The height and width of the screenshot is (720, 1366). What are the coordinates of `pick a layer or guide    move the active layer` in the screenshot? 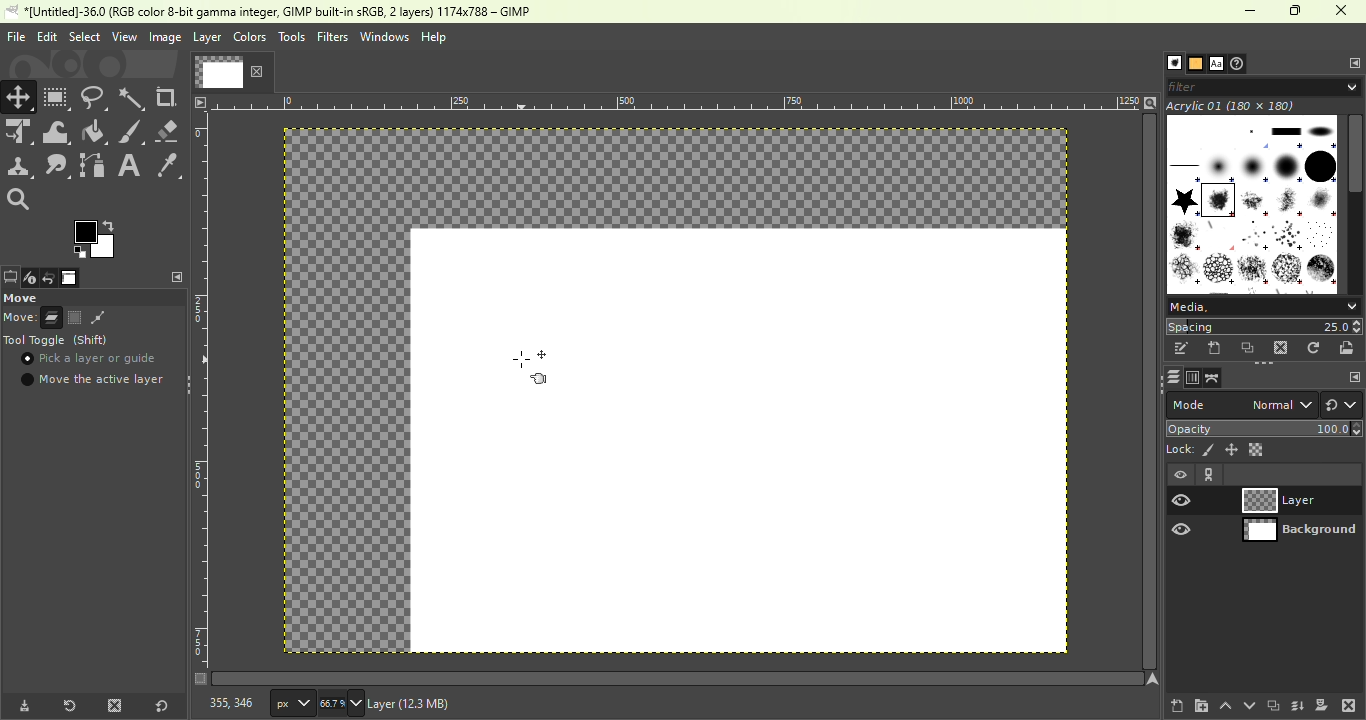 It's located at (93, 371).